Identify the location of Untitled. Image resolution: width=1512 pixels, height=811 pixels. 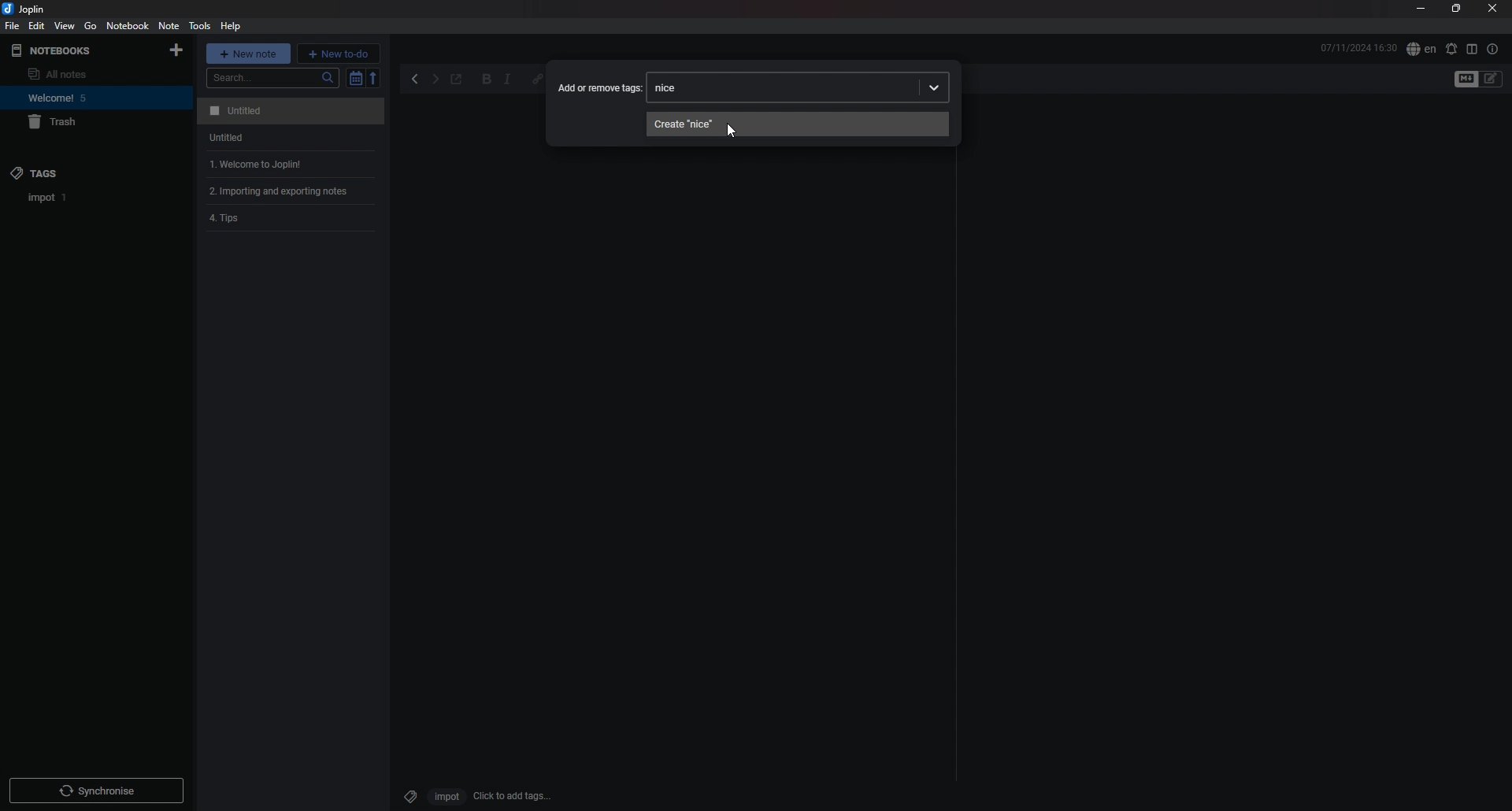
(288, 111).